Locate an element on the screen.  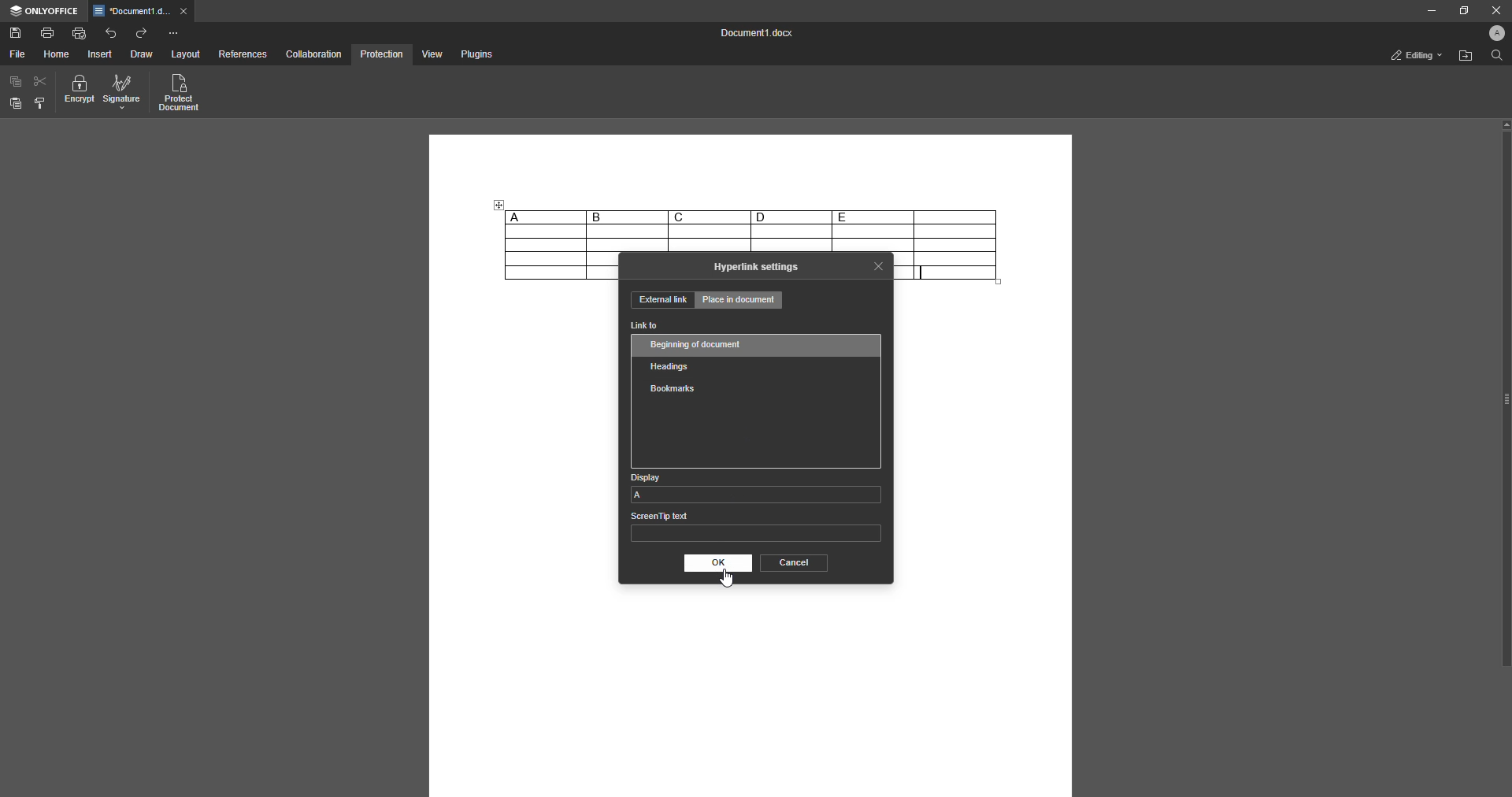
Options is located at coordinates (173, 33).